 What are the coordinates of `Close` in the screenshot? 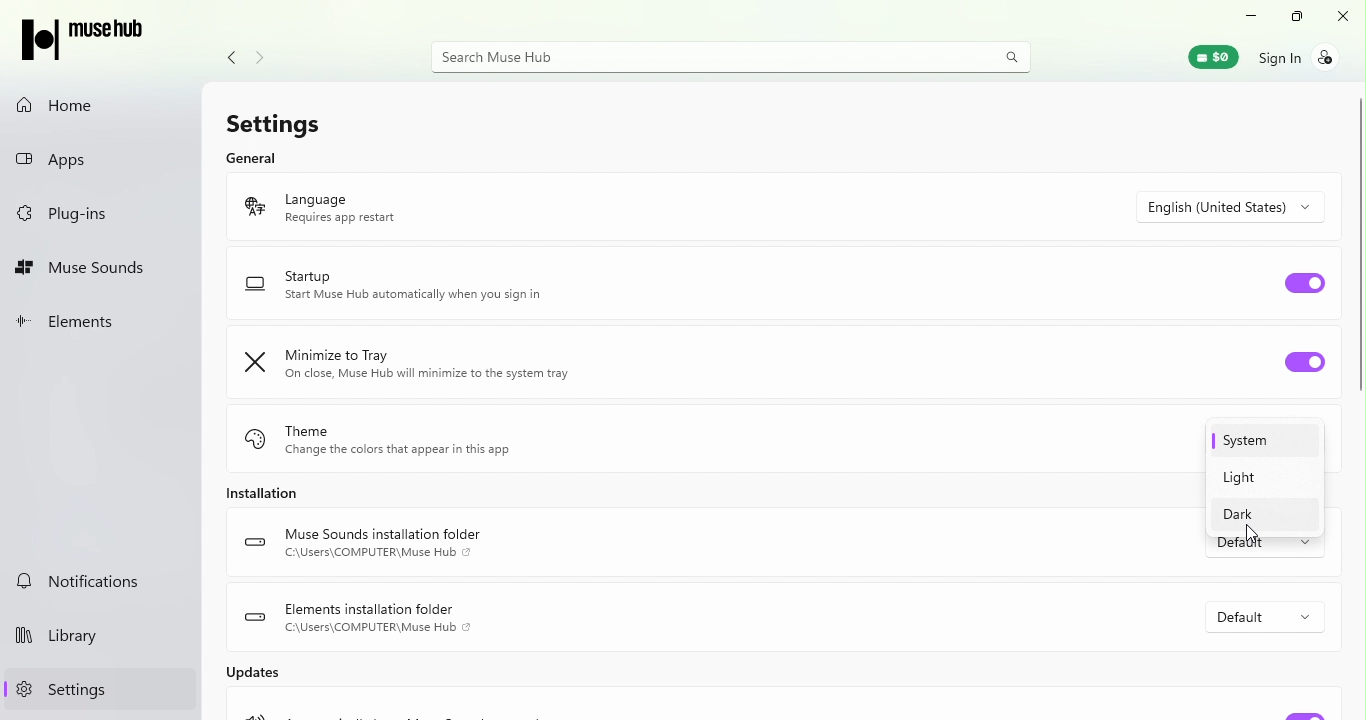 It's located at (1343, 19).